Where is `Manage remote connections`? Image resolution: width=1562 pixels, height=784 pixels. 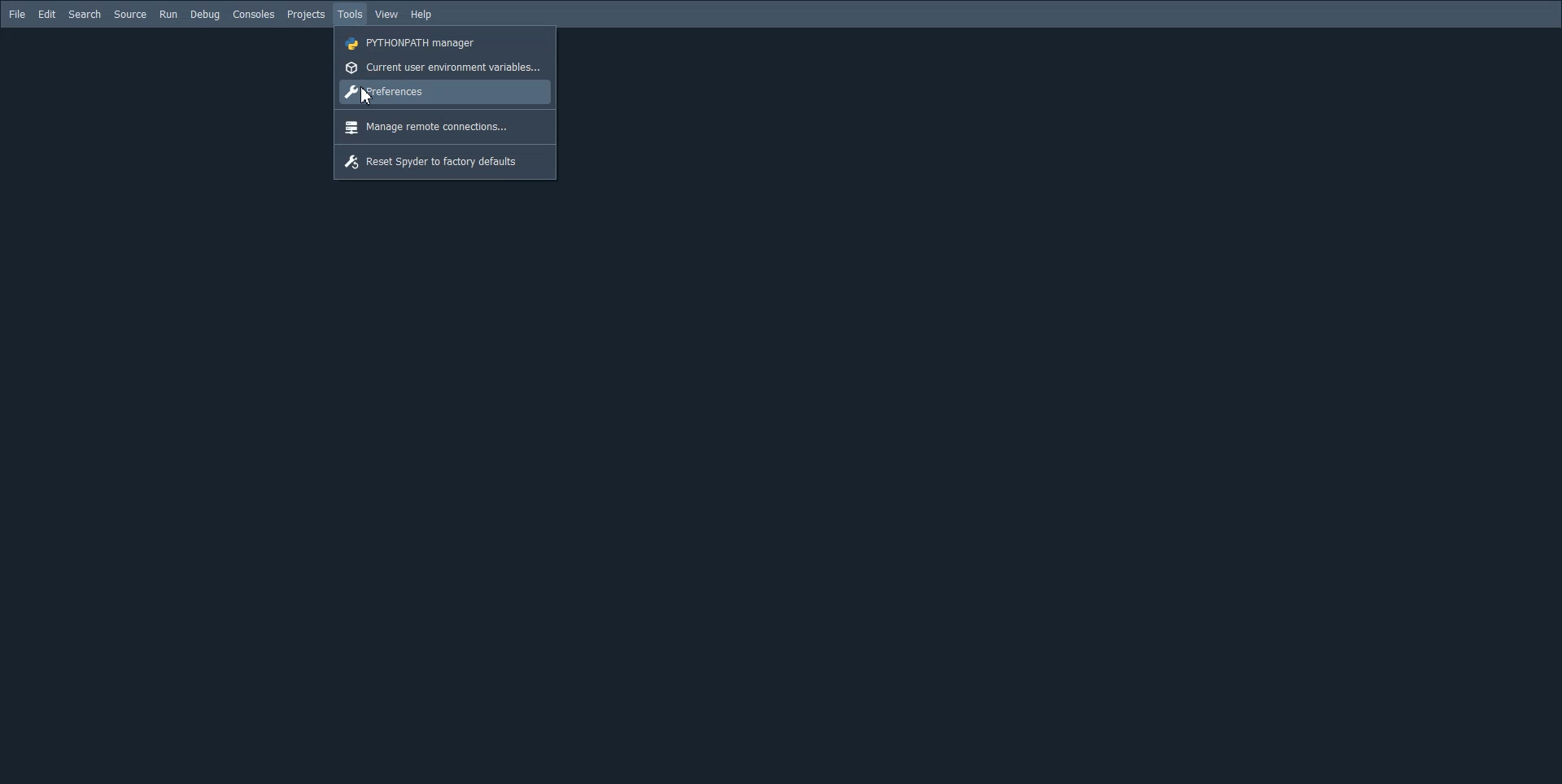
Manage remote connections is located at coordinates (443, 128).